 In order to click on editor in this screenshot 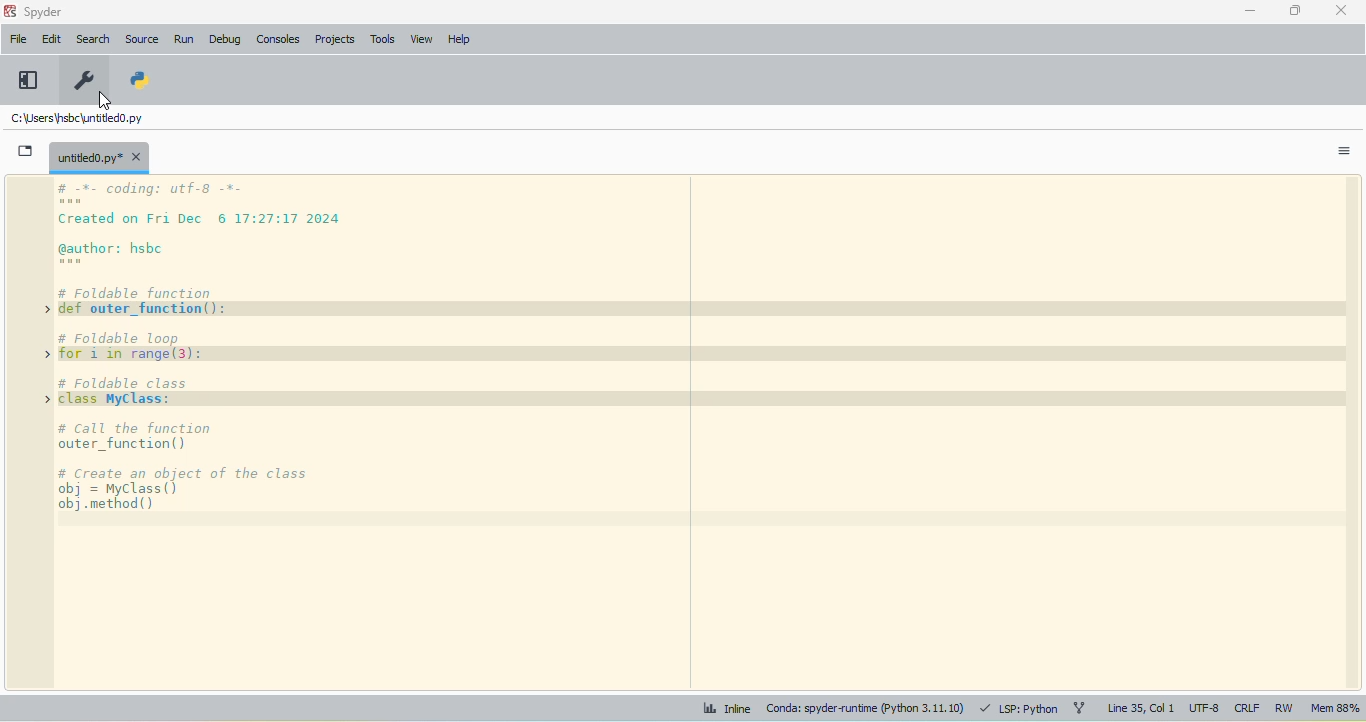, I will do `click(704, 434)`.